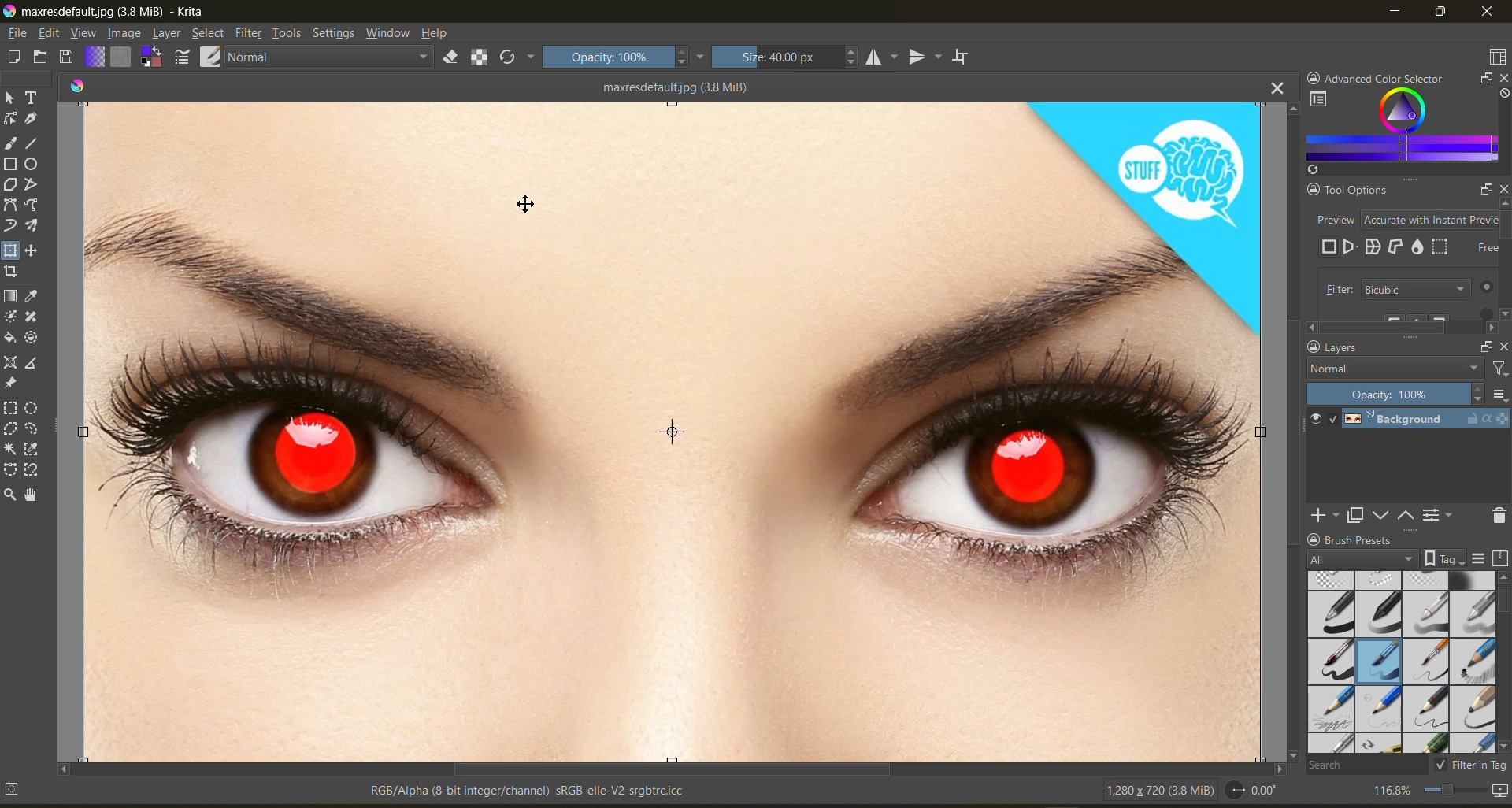 This screenshot has width=1512, height=808. I want to click on tool, so click(10, 297).